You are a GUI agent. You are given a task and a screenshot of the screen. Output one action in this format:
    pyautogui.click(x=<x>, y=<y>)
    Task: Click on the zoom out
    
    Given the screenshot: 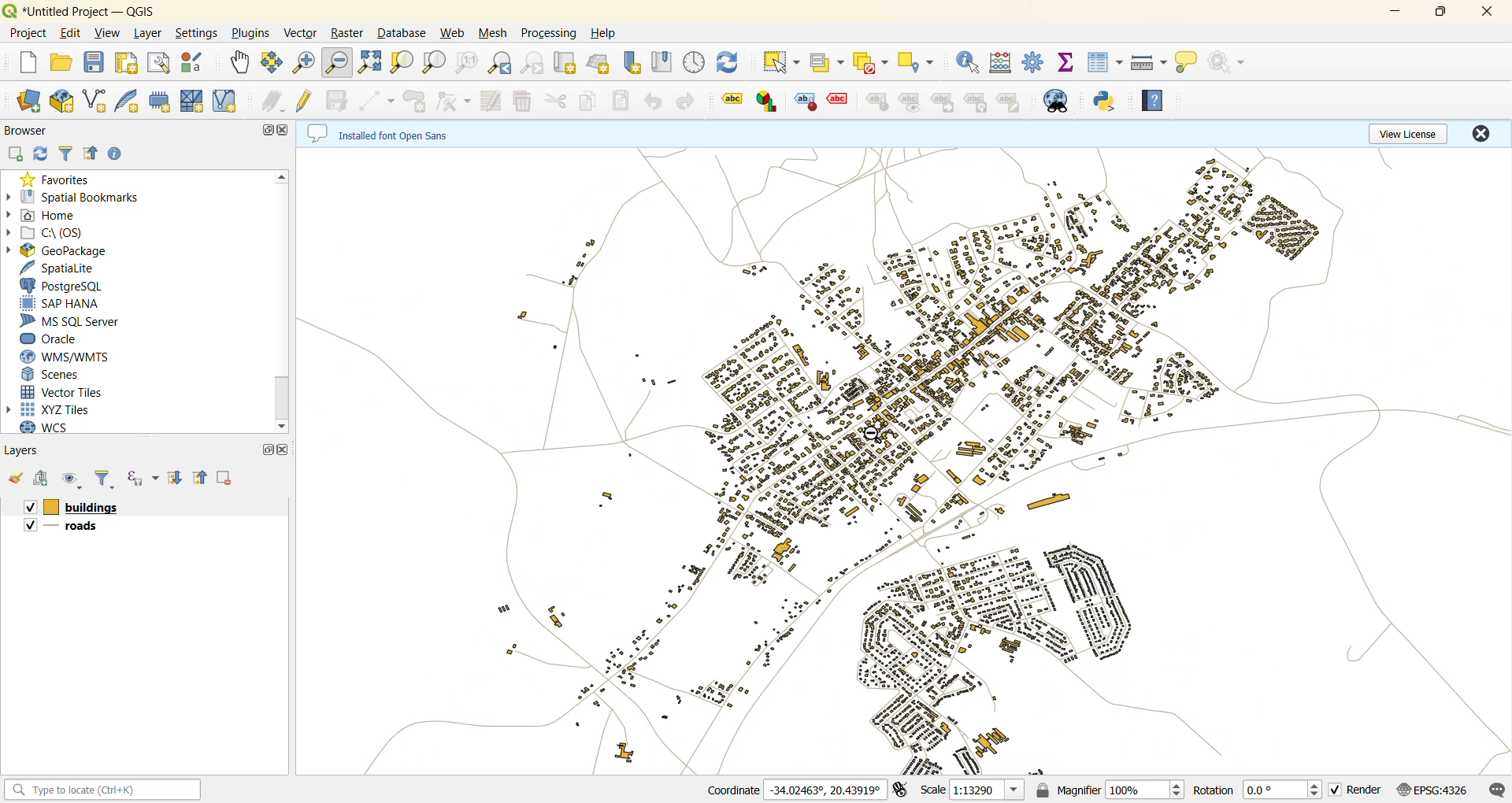 What is the action you would take?
    pyautogui.click(x=339, y=62)
    